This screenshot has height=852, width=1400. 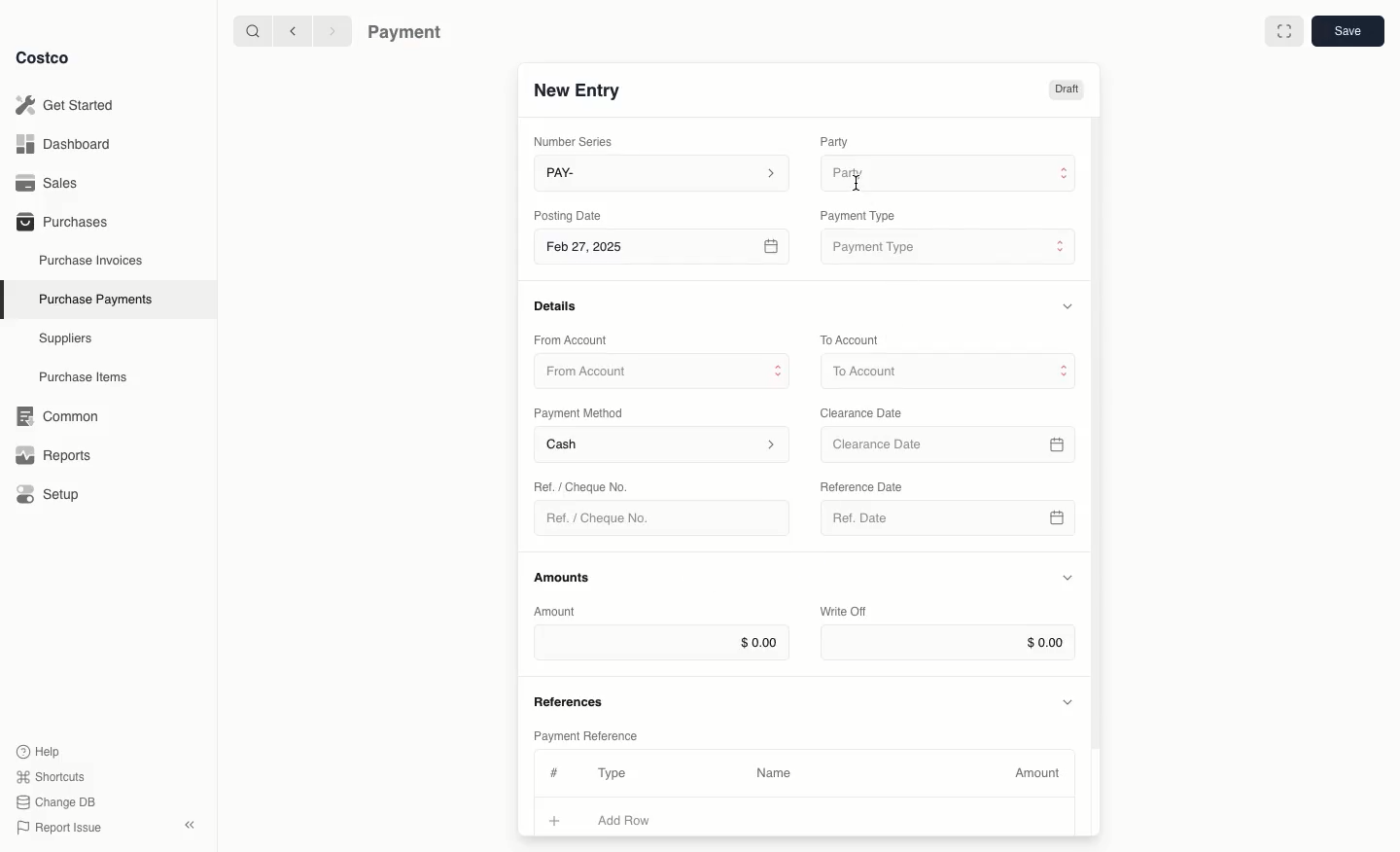 I want to click on Ret. / Cheque No., so click(x=583, y=485).